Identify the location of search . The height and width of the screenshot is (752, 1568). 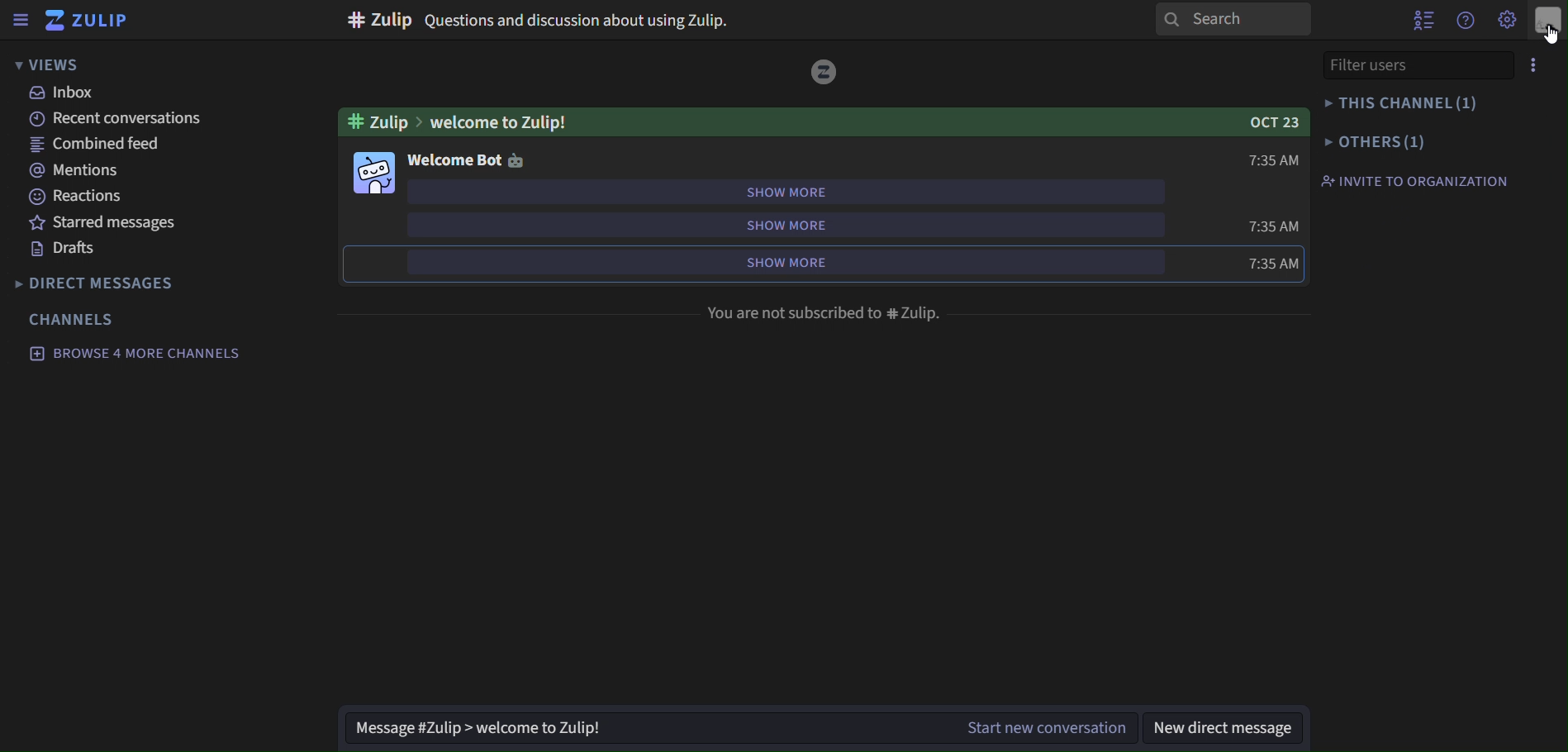
(1236, 20).